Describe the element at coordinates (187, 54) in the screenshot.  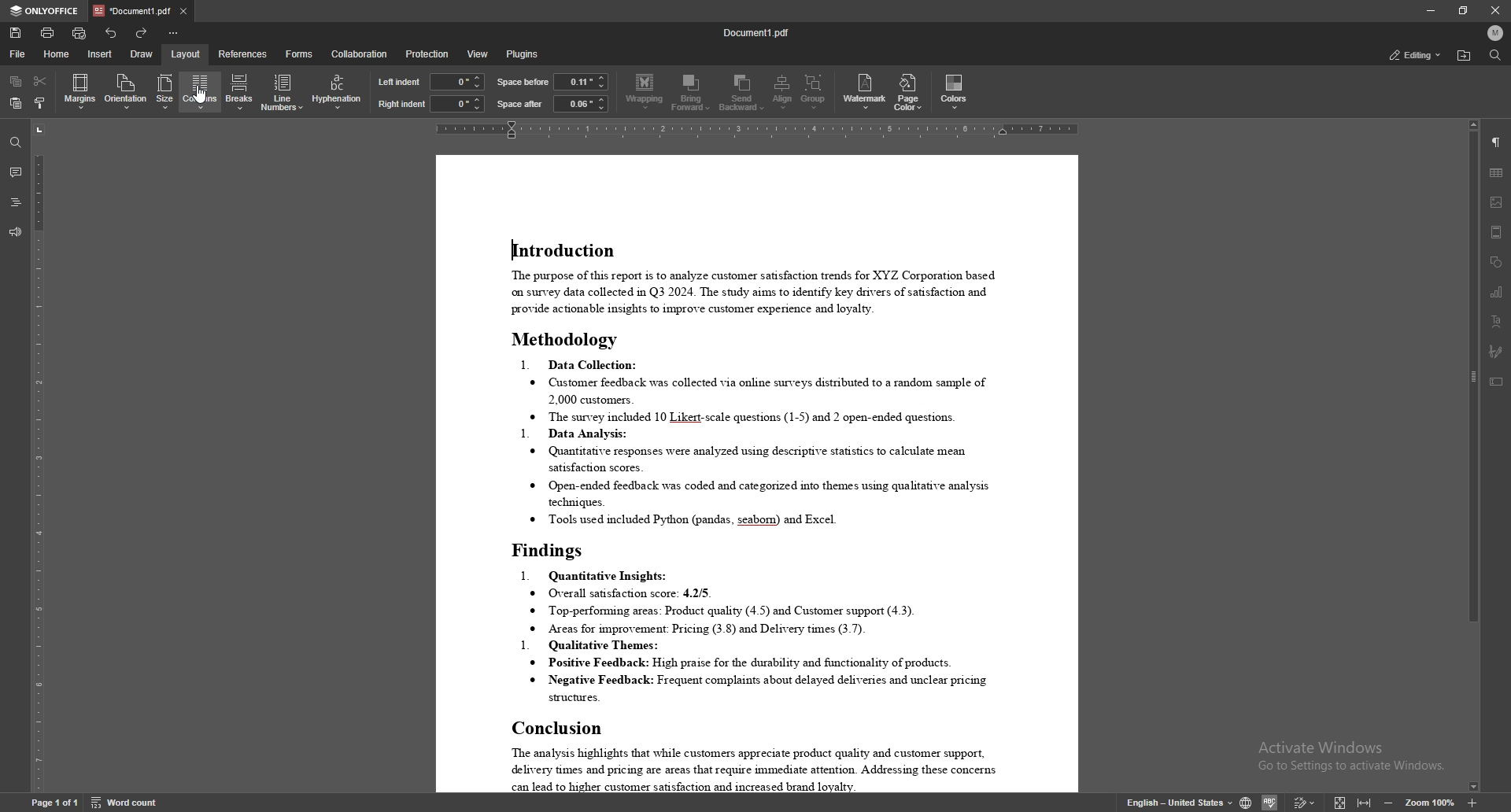
I see `layout` at that location.